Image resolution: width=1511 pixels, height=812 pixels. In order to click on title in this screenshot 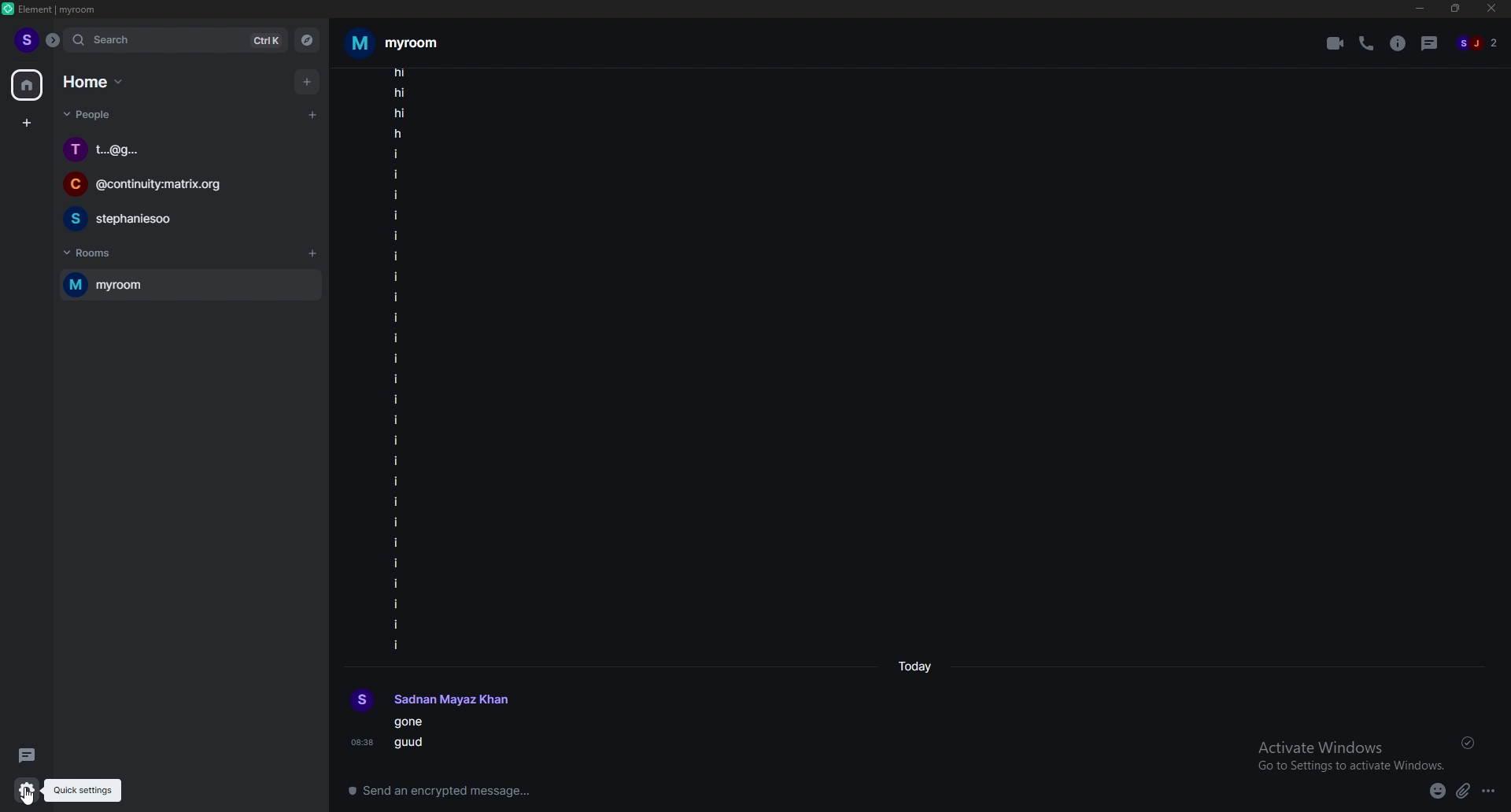, I will do `click(58, 9)`.